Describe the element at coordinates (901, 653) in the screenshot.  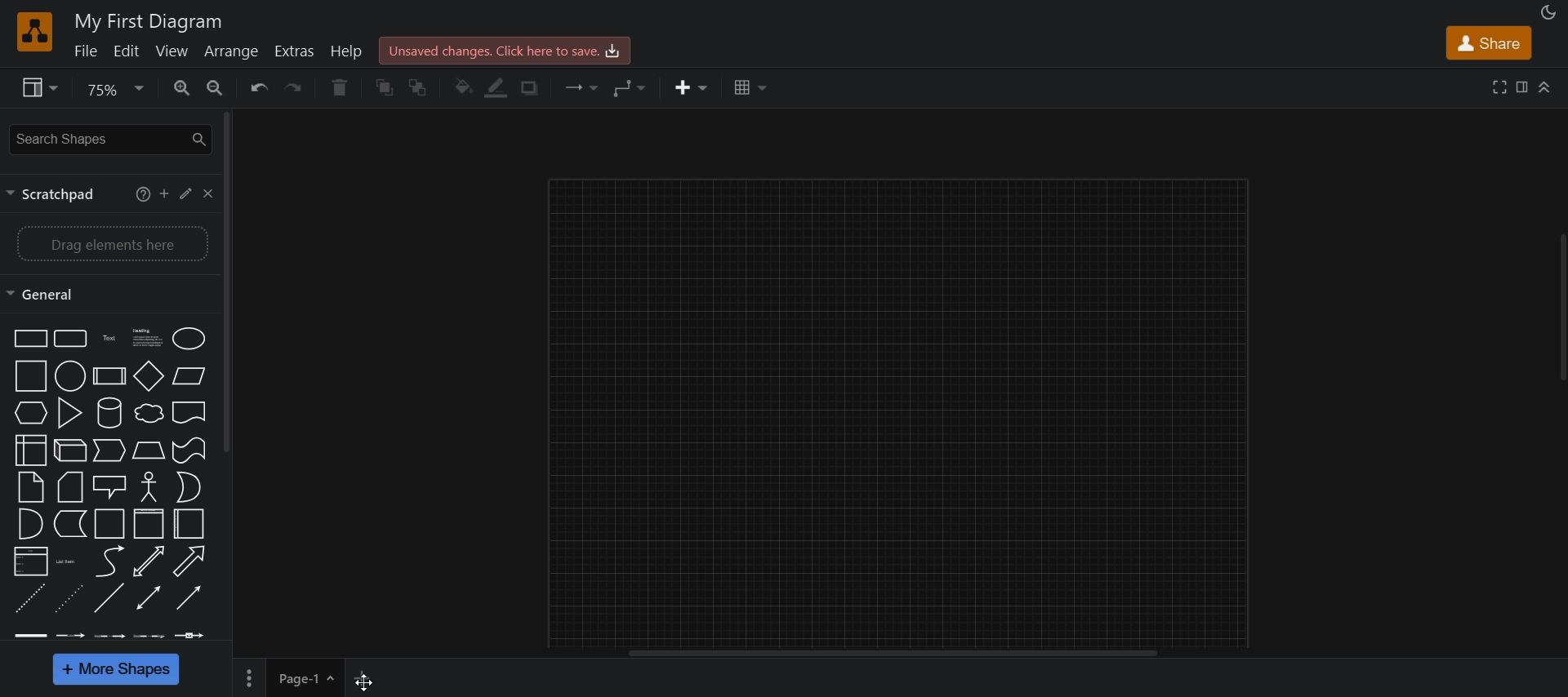
I see `horizontal scroll bar` at that location.